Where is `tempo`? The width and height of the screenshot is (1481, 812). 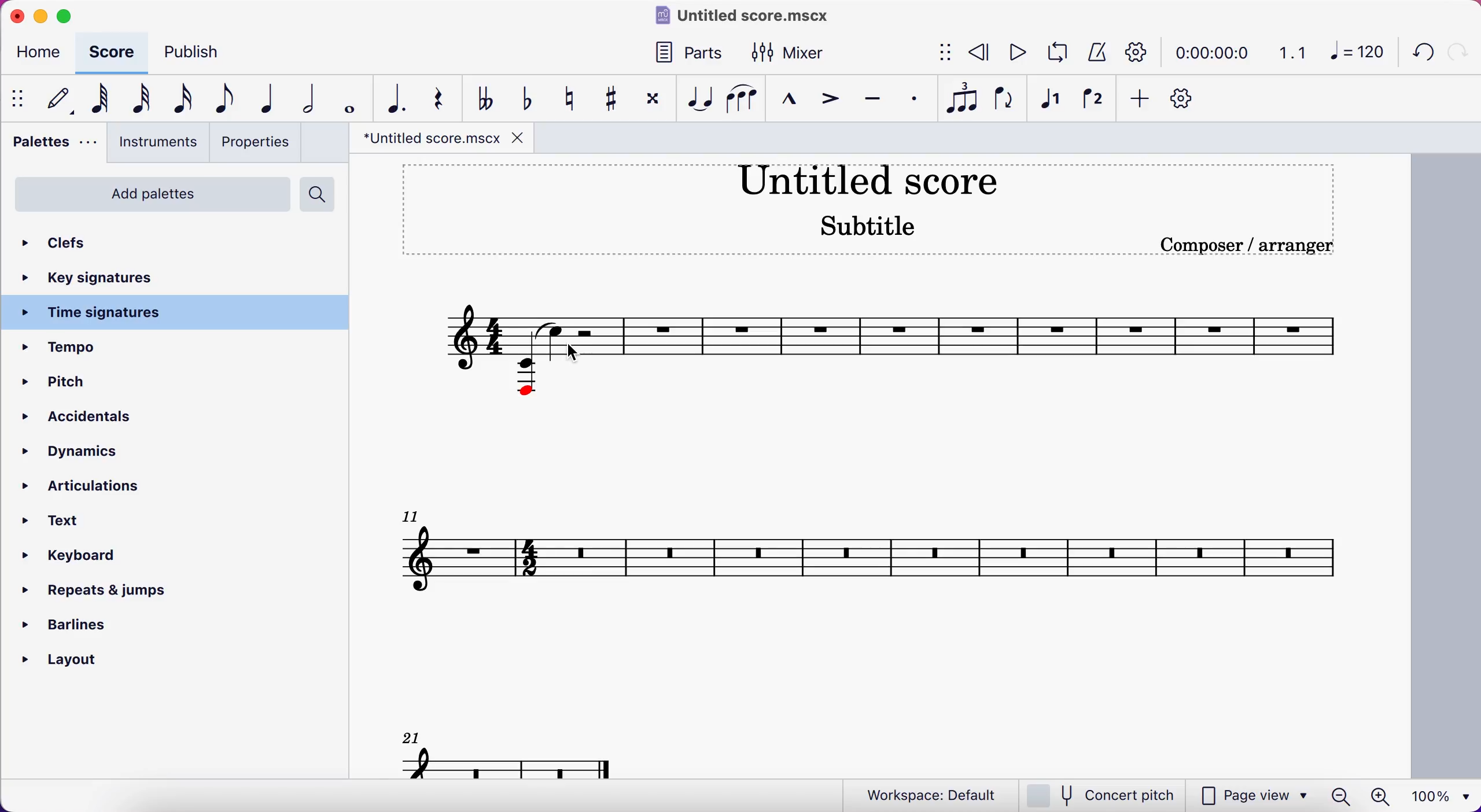
tempo is located at coordinates (109, 348).